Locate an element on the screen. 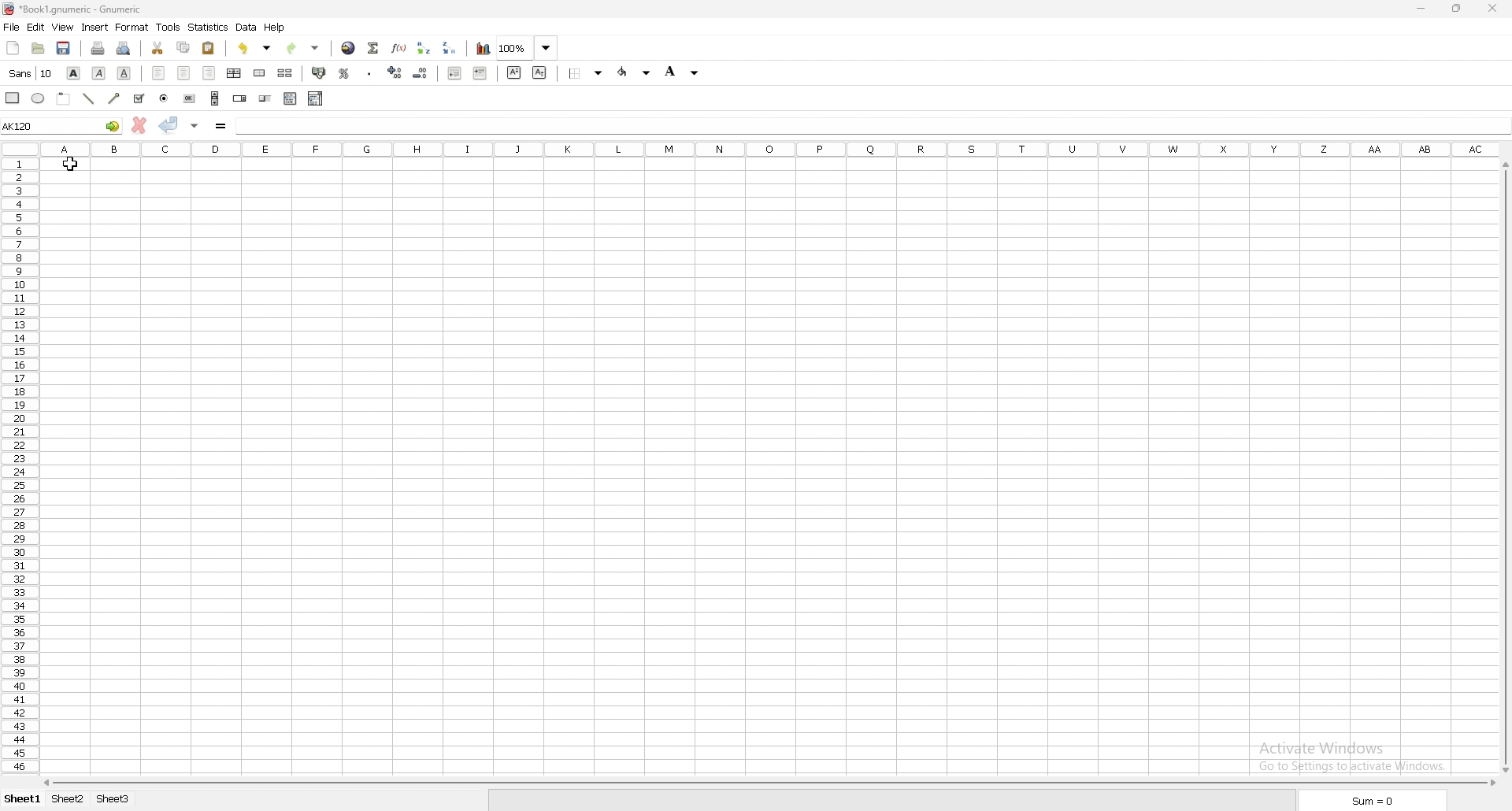 Image resolution: width=1512 pixels, height=811 pixels. centre horizontally is located at coordinates (235, 74).